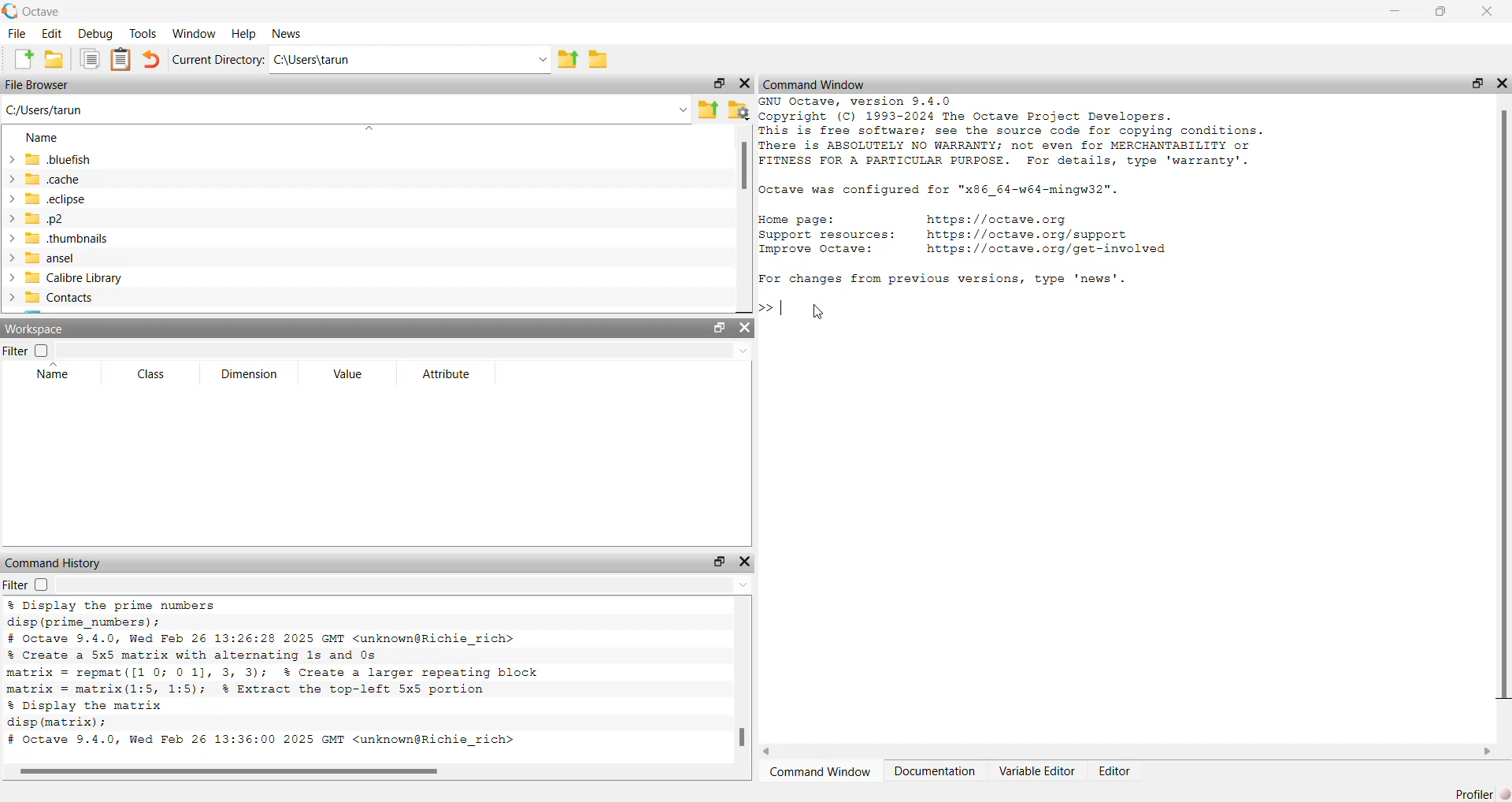 The image size is (1512, 802). I want to click on attribute, so click(447, 376).